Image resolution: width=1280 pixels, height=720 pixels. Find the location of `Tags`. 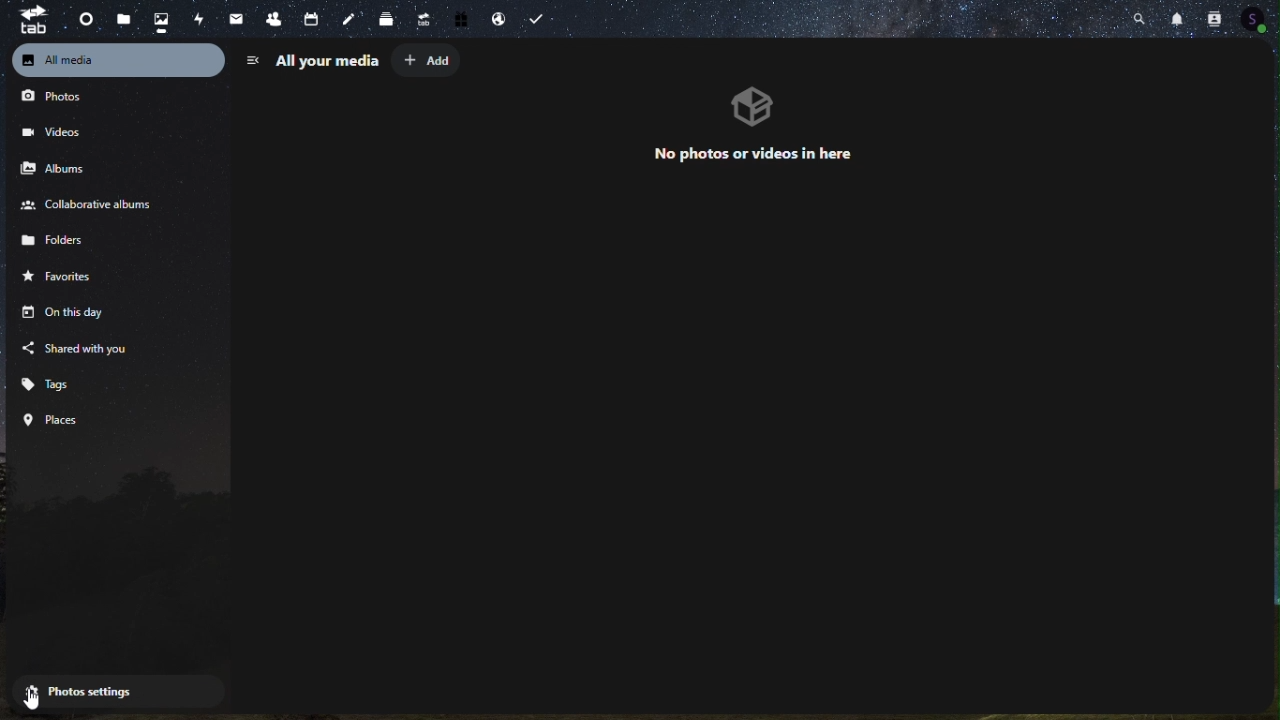

Tags is located at coordinates (55, 382).